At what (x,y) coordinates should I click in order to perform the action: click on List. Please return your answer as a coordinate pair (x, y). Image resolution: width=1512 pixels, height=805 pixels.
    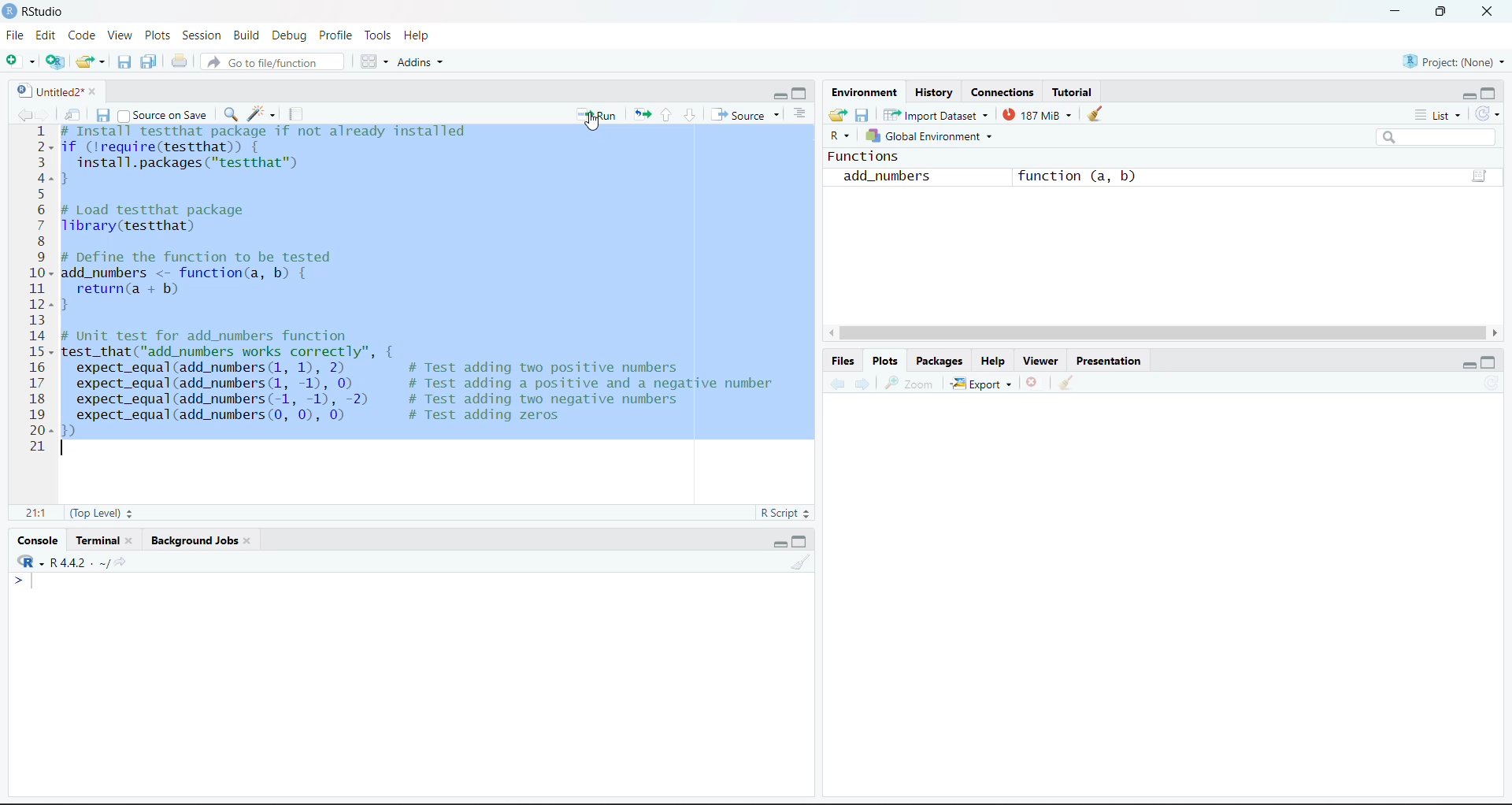
    Looking at the image, I should click on (1438, 115).